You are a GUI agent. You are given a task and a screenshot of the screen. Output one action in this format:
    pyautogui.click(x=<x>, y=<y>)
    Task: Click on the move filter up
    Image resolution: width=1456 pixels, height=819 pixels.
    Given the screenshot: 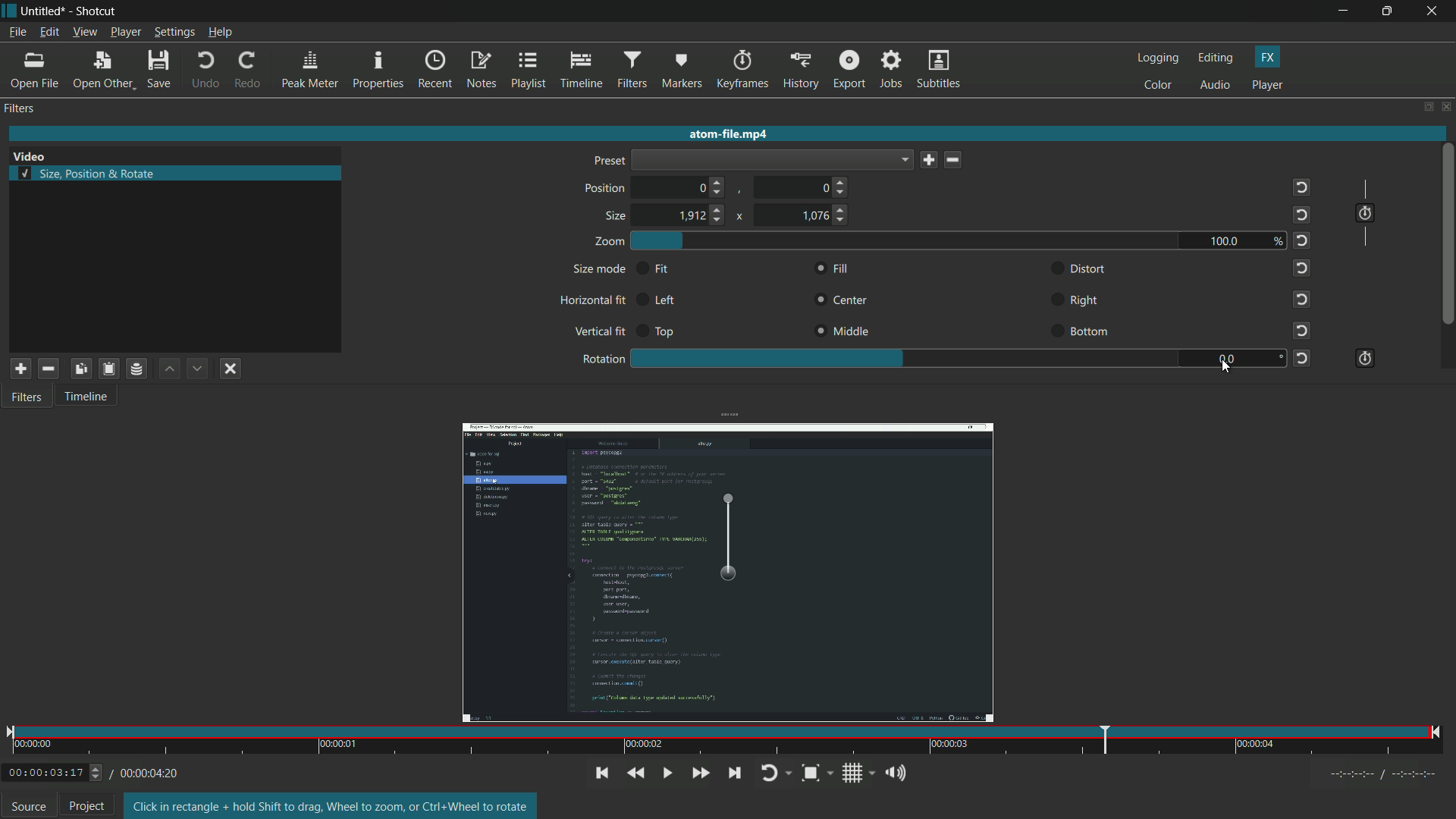 What is the action you would take?
    pyautogui.click(x=170, y=369)
    